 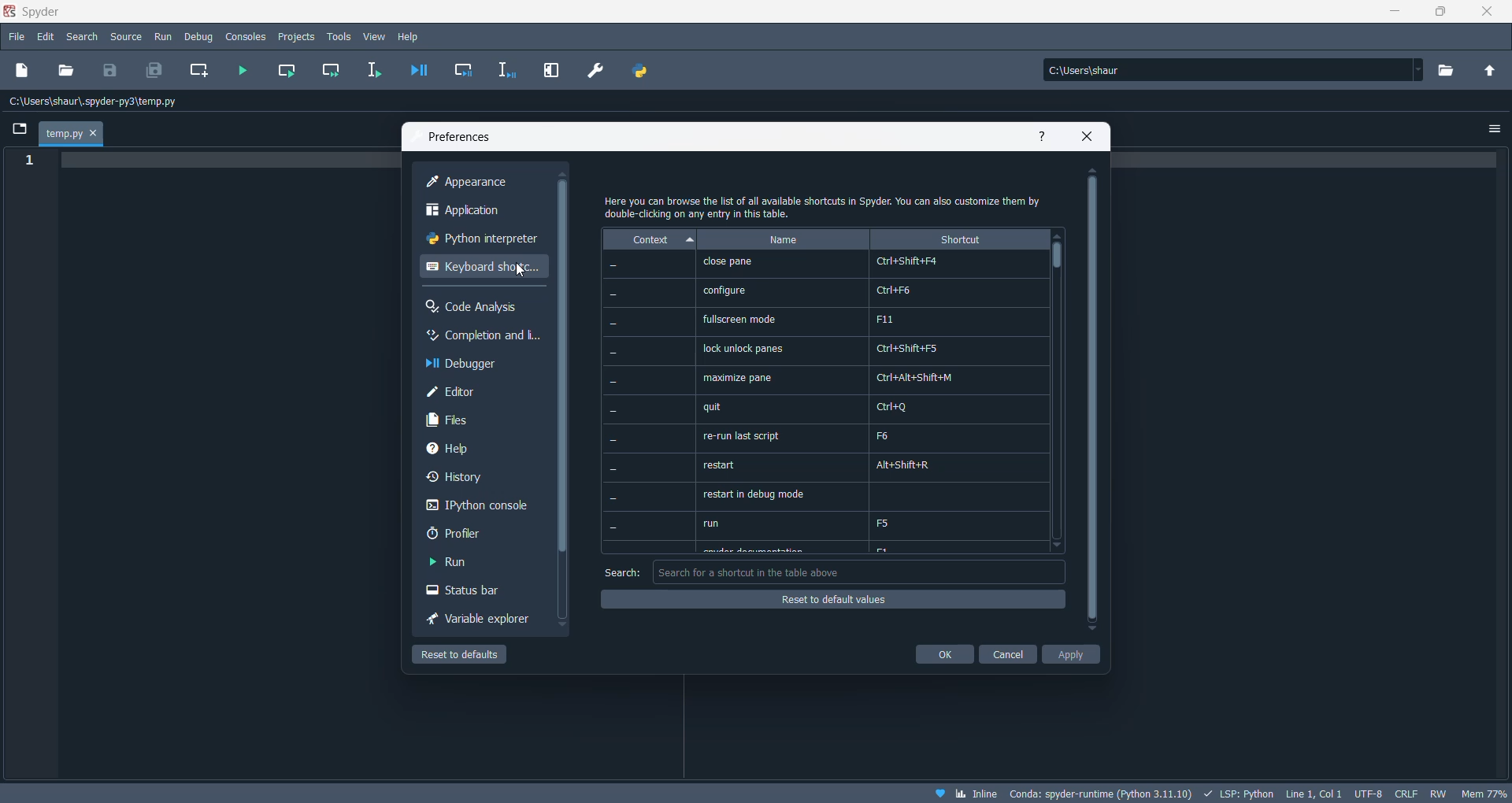 What do you see at coordinates (960, 403) in the screenshot?
I see `shortcut options` at bounding box center [960, 403].